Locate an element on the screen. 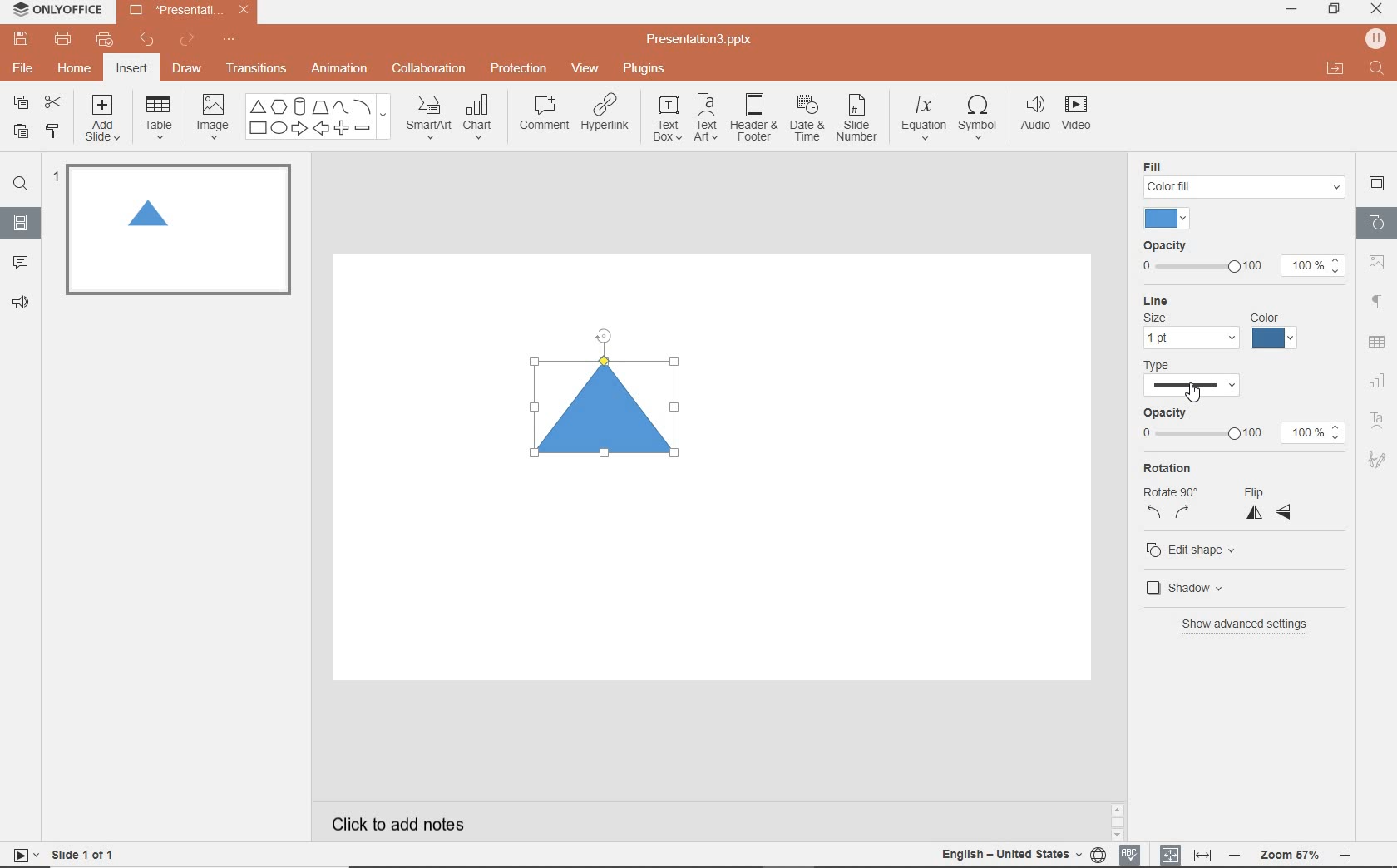 The height and width of the screenshot is (868, 1397). UNDO is located at coordinates (148, 41).